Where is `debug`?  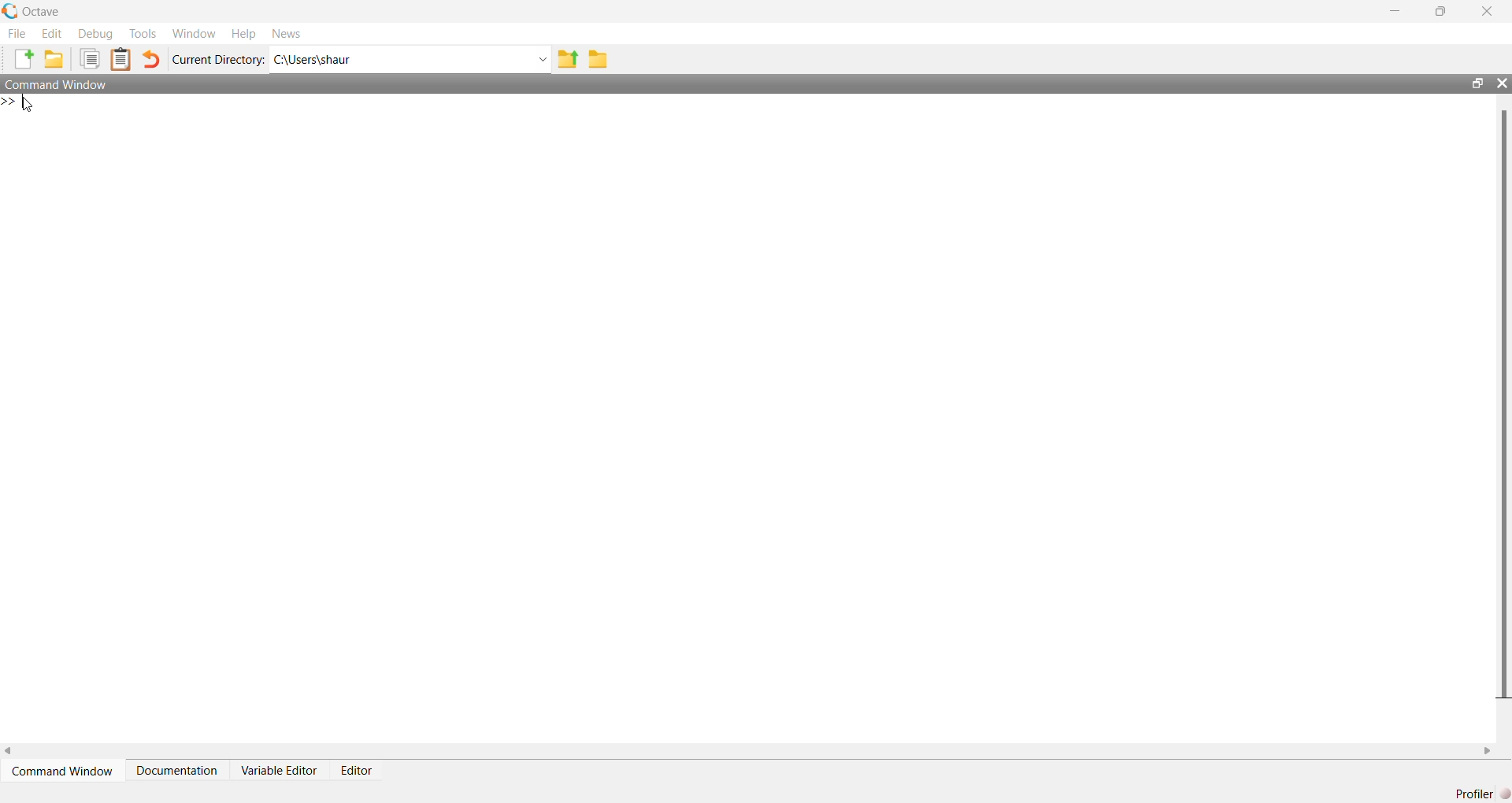
debug is located at coordinates (96, 34).